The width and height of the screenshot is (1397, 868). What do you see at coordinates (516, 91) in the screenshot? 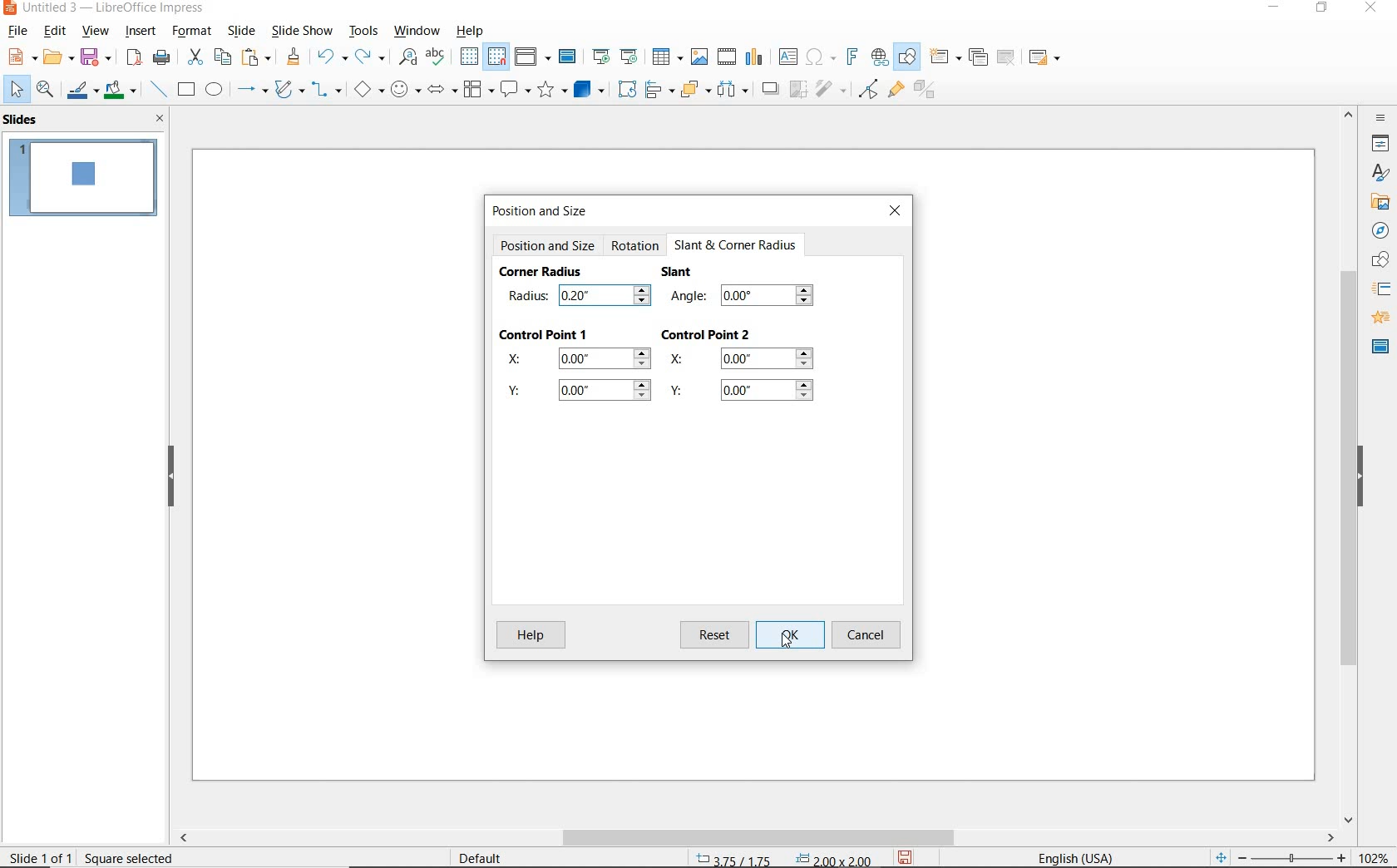
I see `callout shapes` at bounding box center [516, 91].